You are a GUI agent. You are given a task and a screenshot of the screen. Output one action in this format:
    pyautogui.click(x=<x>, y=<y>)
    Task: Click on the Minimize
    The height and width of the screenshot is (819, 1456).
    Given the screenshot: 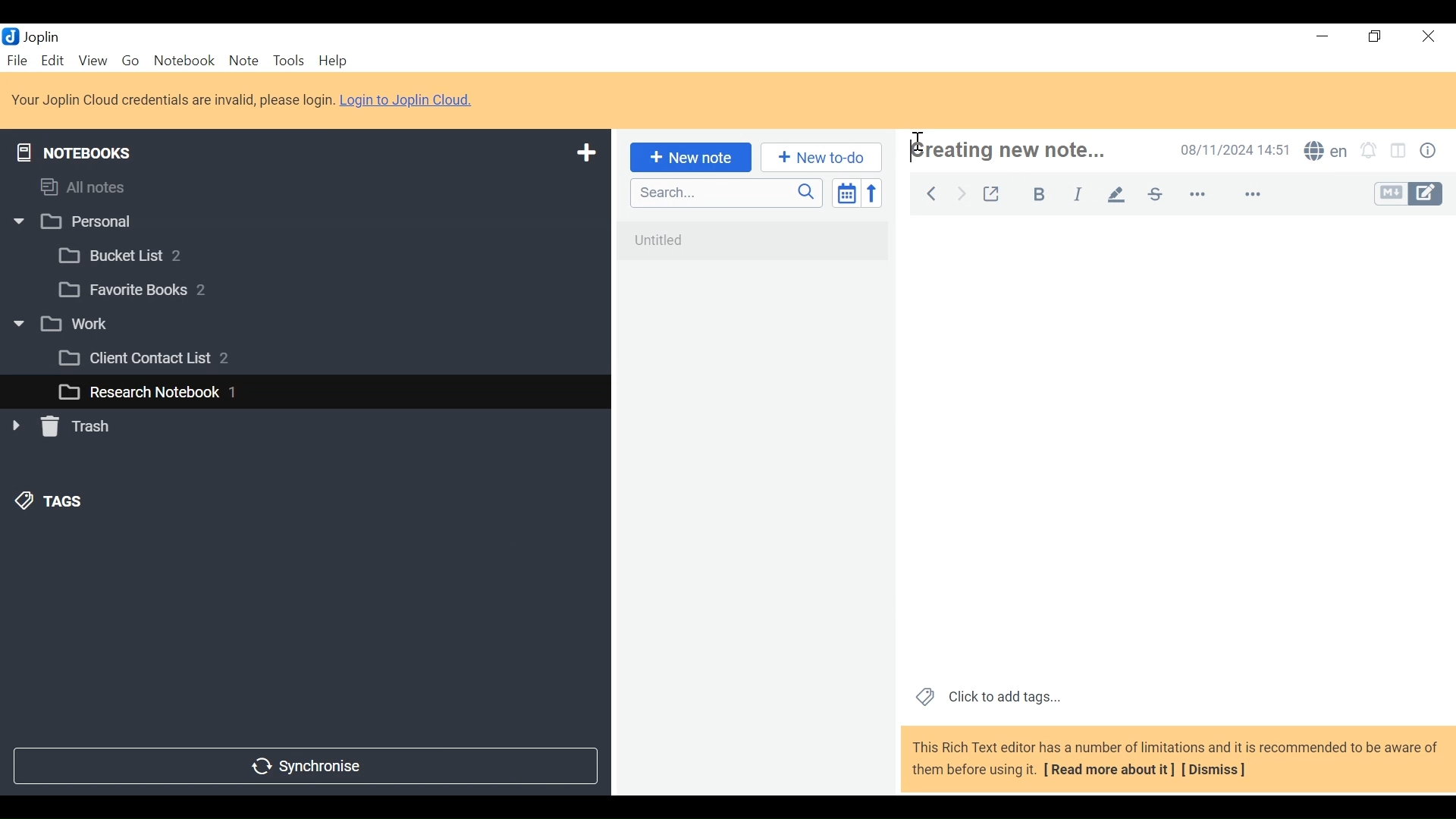 What is the action you would take?
    pyautogui.click(x=1321, y=36)
    